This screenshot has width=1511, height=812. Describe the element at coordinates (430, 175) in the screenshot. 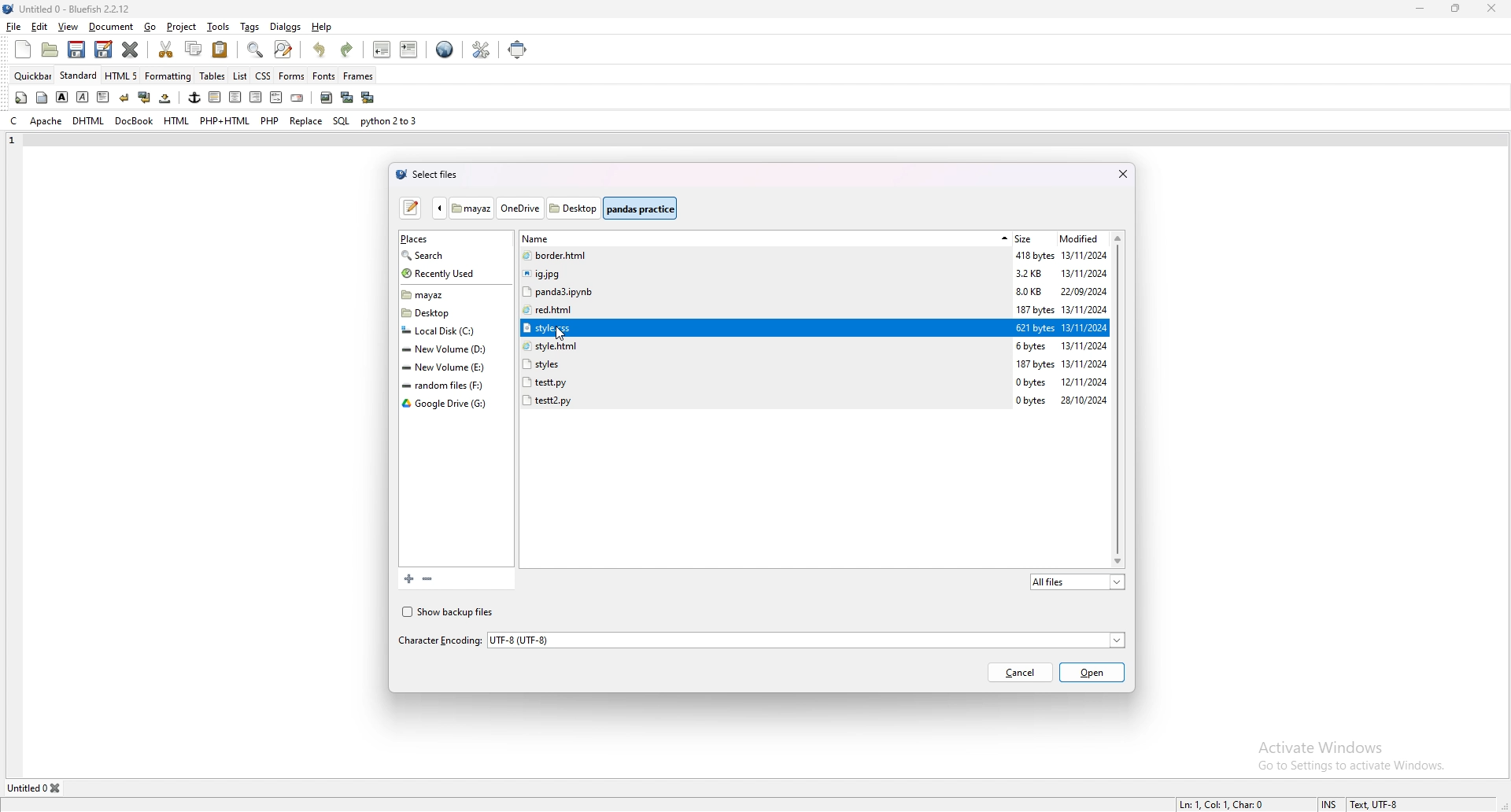

I see `select files` at that location.